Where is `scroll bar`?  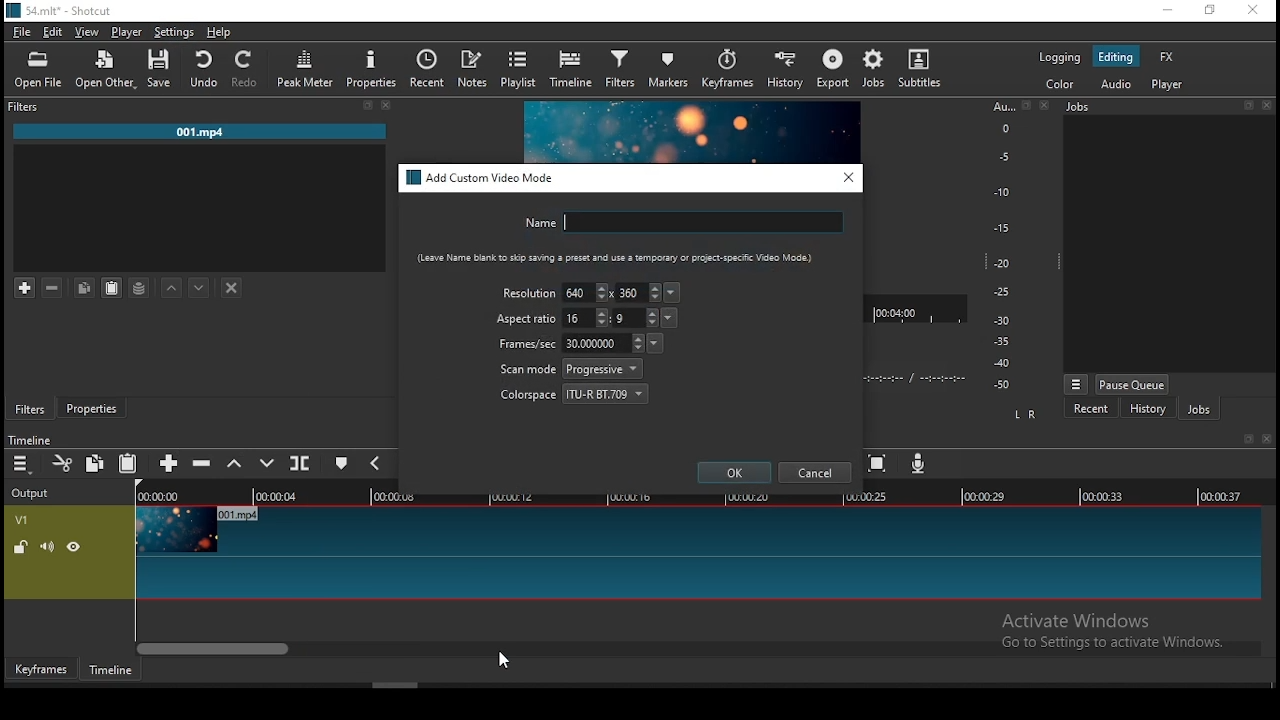
scroll bar is located at coordinates (699, 647).